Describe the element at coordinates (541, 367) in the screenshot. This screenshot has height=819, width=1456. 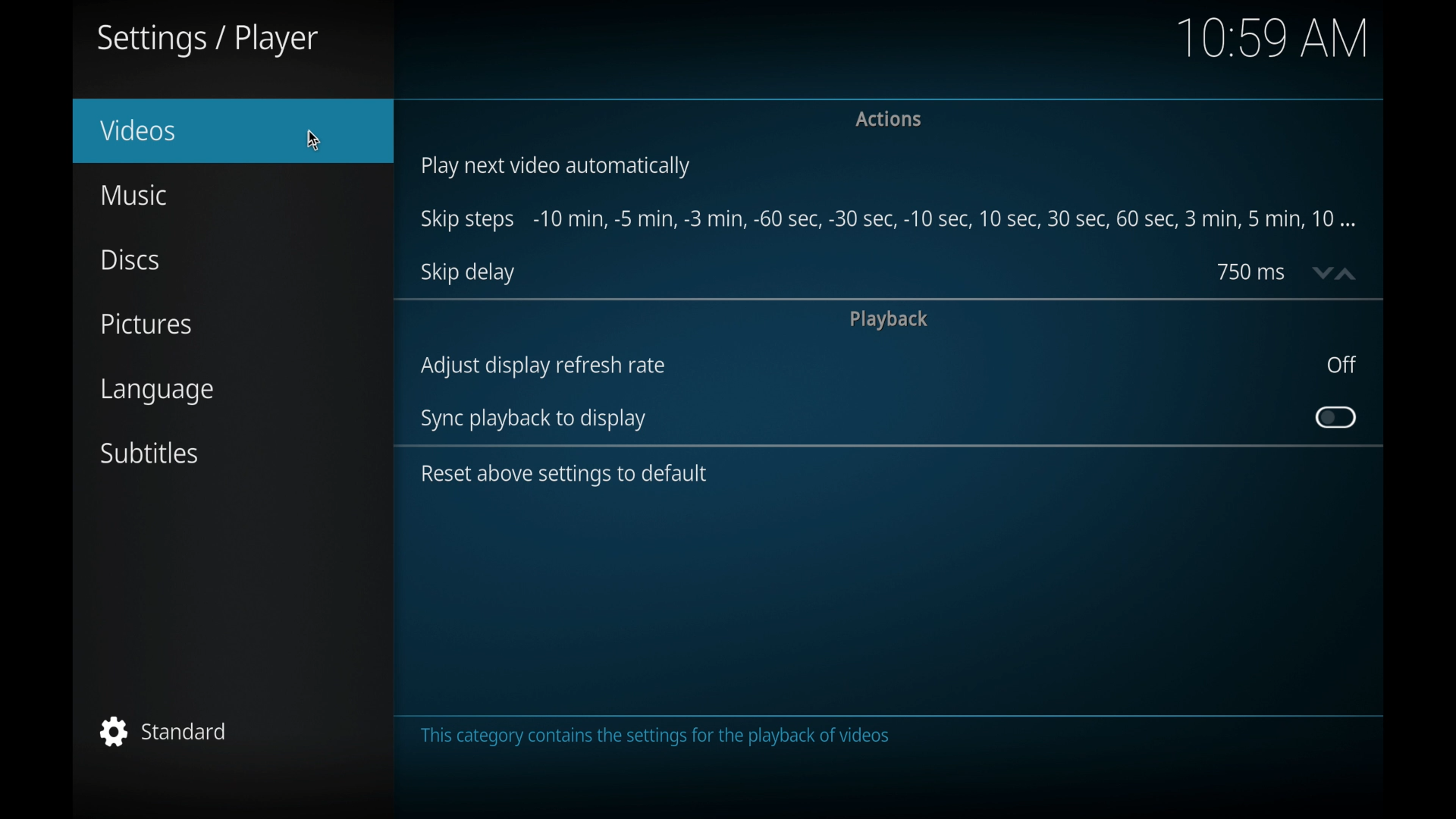
I see `adjust display refresh rate` at that location.